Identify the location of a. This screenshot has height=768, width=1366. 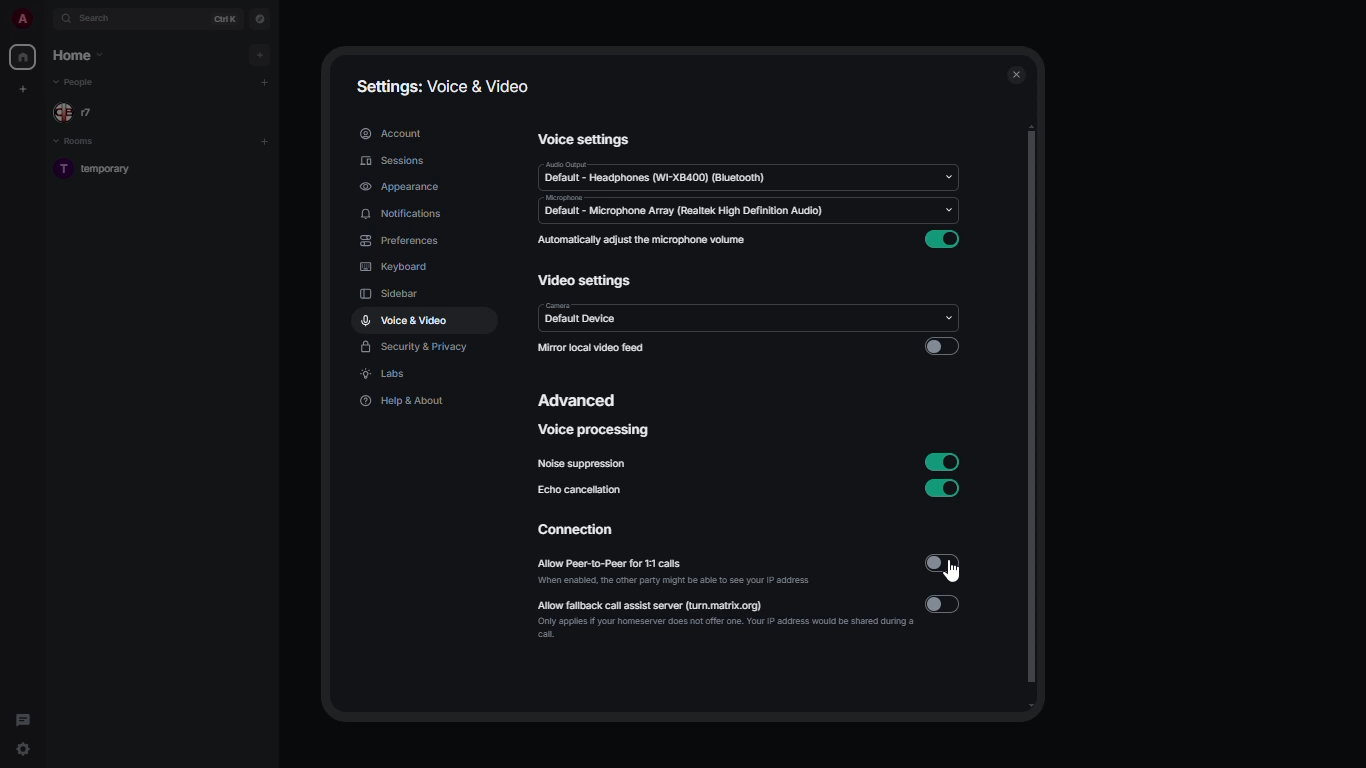
(22, 18).